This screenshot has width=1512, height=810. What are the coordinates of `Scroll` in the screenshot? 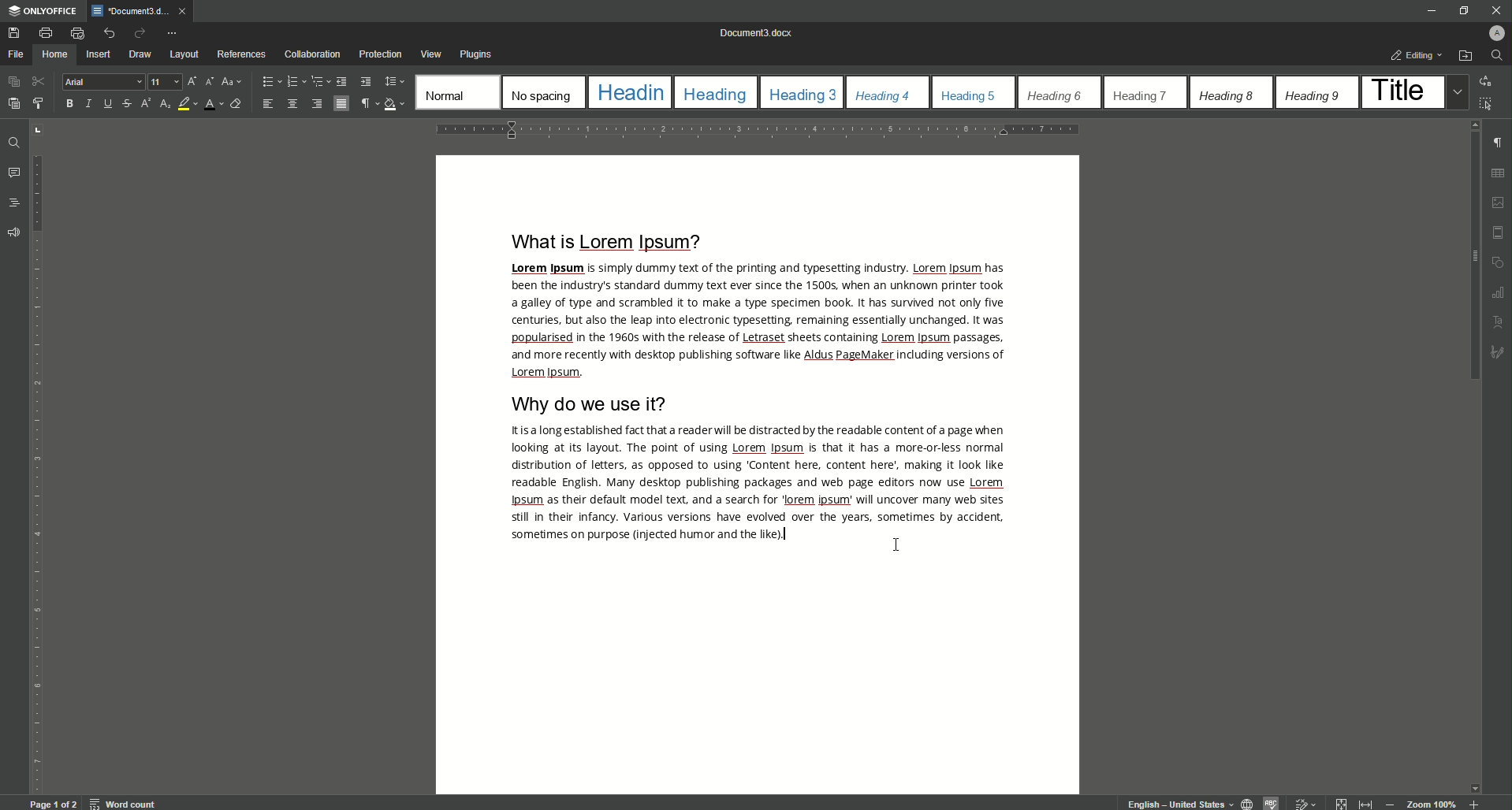 It's located at (1473, 250).